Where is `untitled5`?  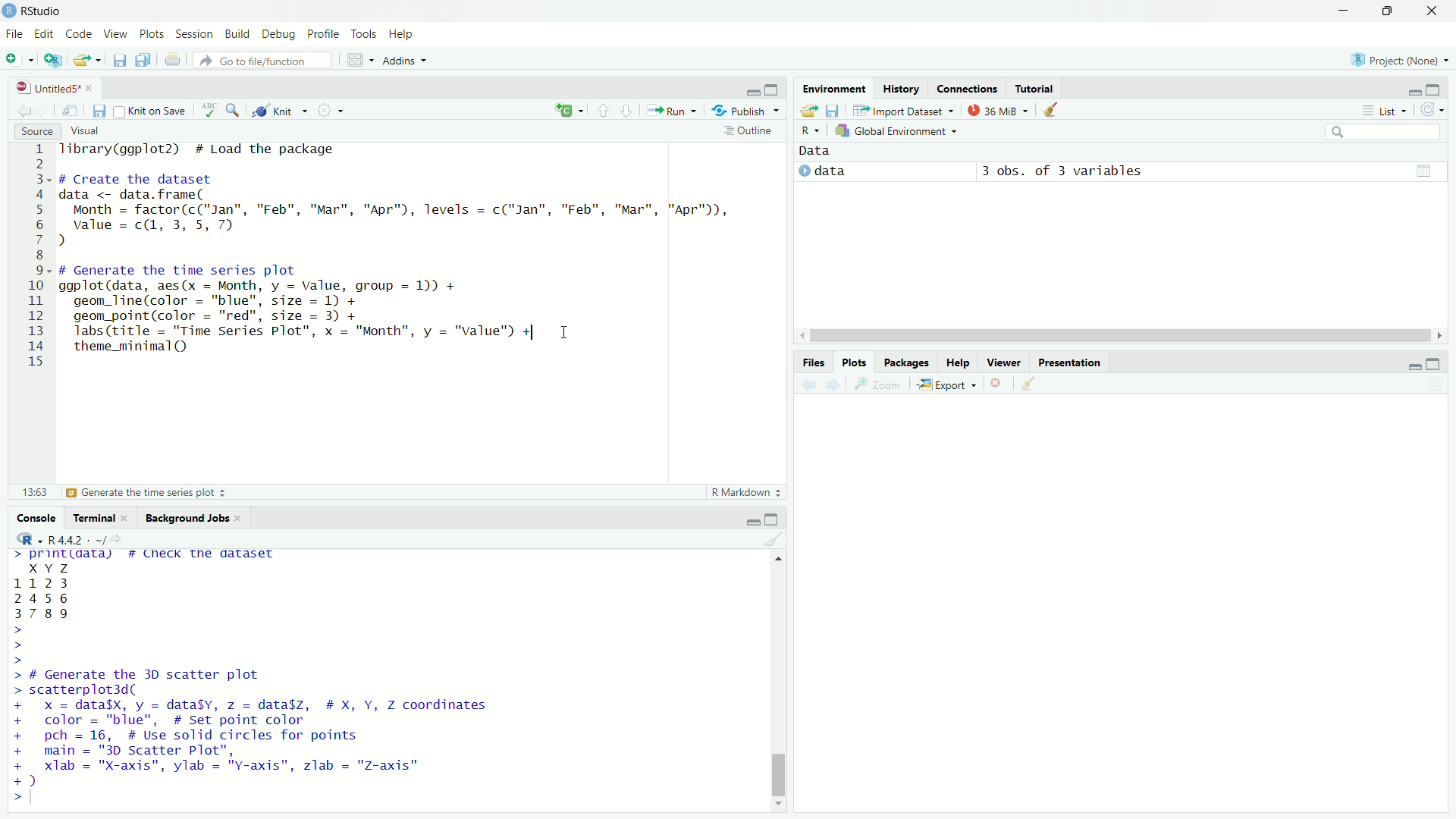 untitled5 is located at coordinates (40, 86).